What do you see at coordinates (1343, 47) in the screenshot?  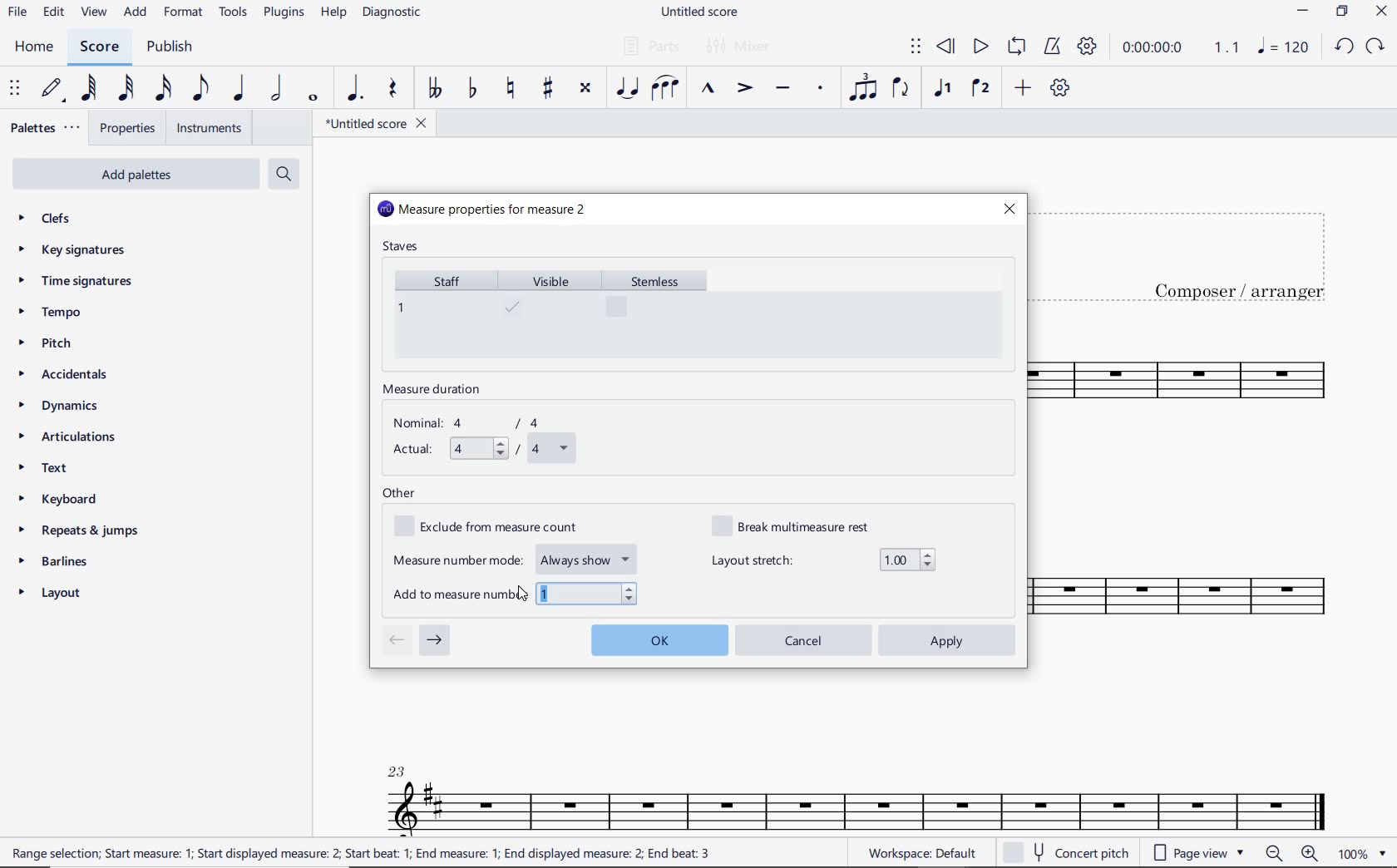 I see `UNDO` at bounding box center [1343, 47].